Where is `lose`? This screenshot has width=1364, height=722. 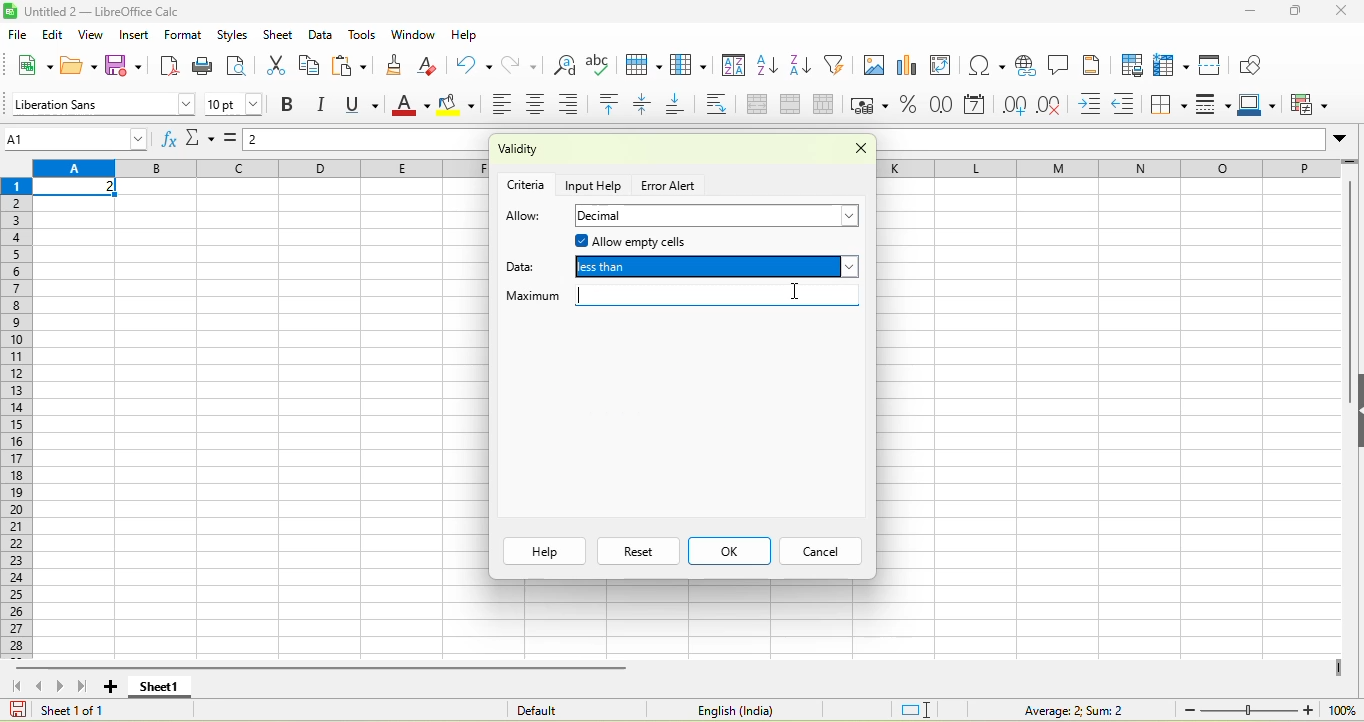
lose is located at coordinates (854, 151).